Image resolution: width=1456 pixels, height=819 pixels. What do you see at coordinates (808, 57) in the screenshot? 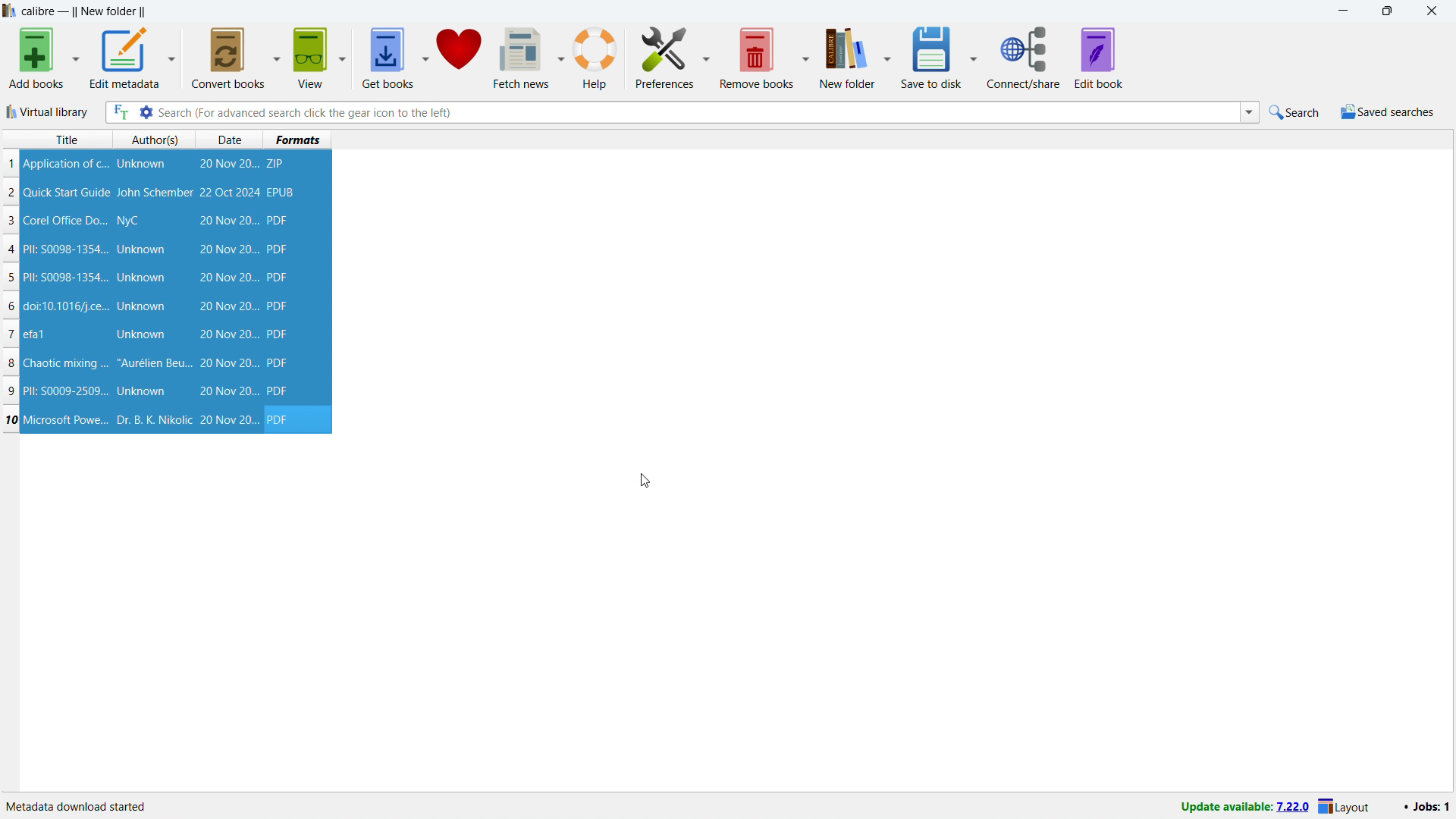
I see `remove books options` at bounding box center [808, 57].